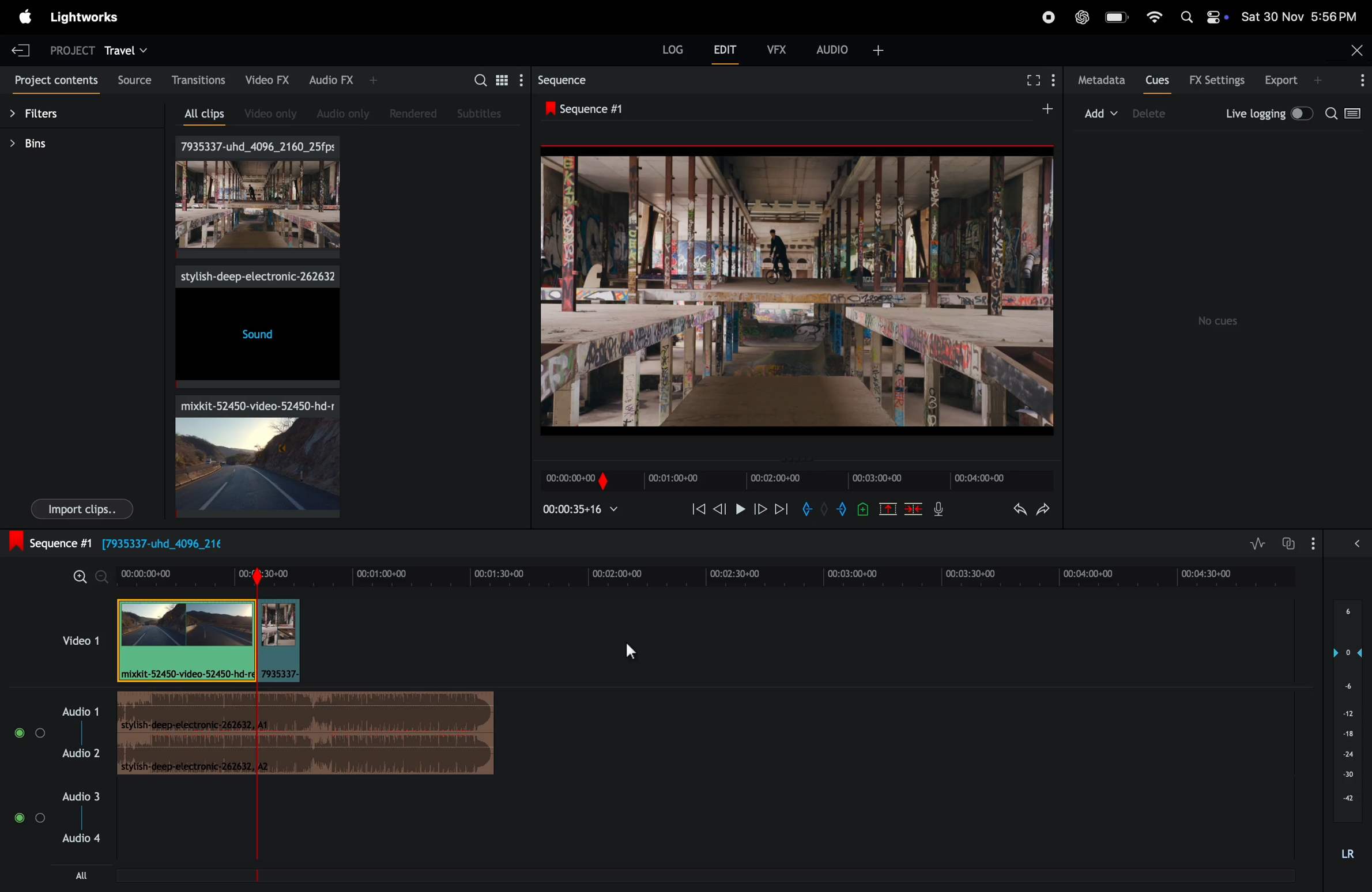 Image resolution: width=1372 pixels, height=892 pixels. I want to click on audio, so click(850, 48).